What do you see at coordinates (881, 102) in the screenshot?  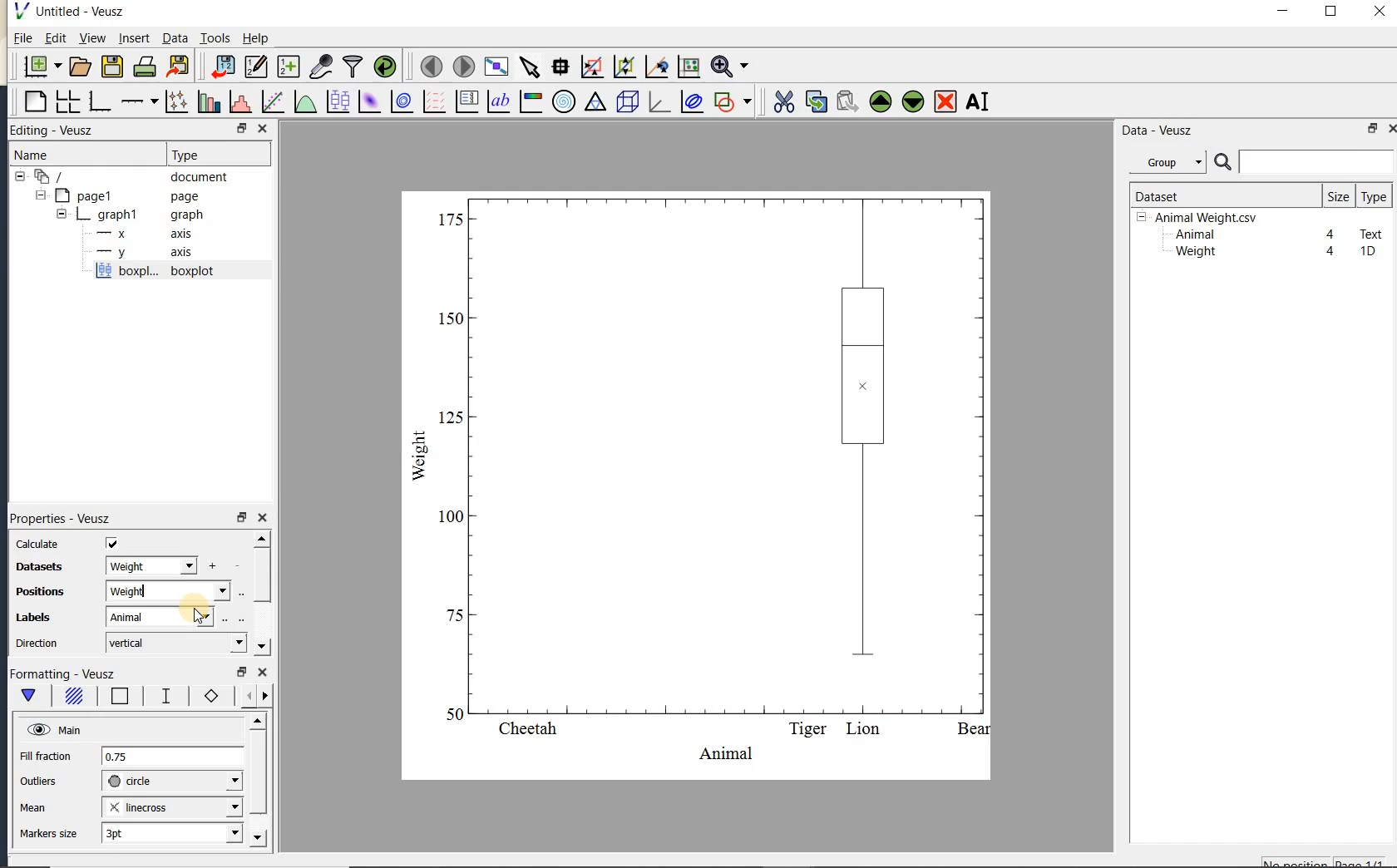 I see `move the selected widget up` at bounding box center [881, 102].